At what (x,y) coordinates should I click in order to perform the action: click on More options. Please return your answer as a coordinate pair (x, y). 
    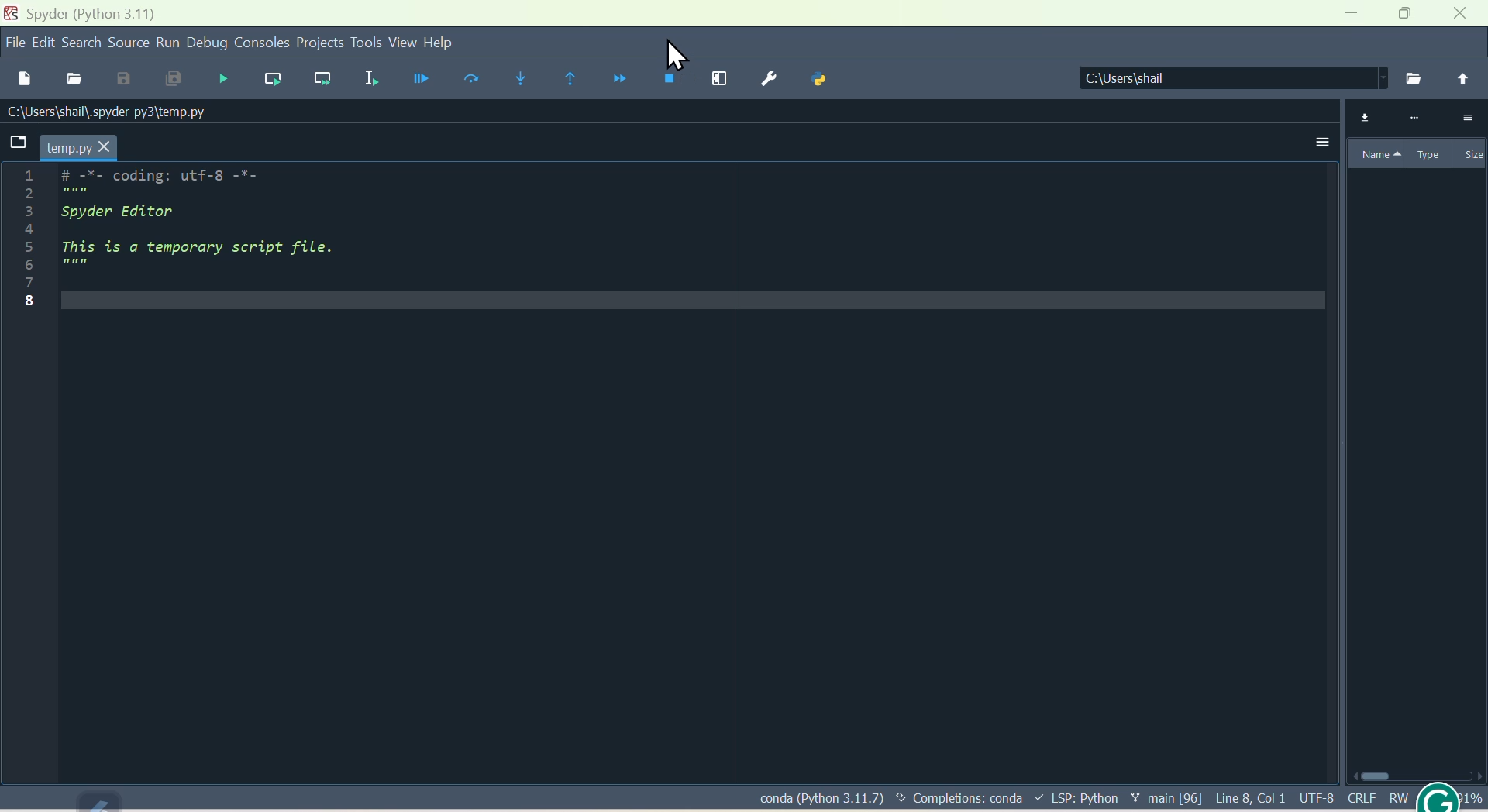
    Looking at the image, I should click on (1311, 146).